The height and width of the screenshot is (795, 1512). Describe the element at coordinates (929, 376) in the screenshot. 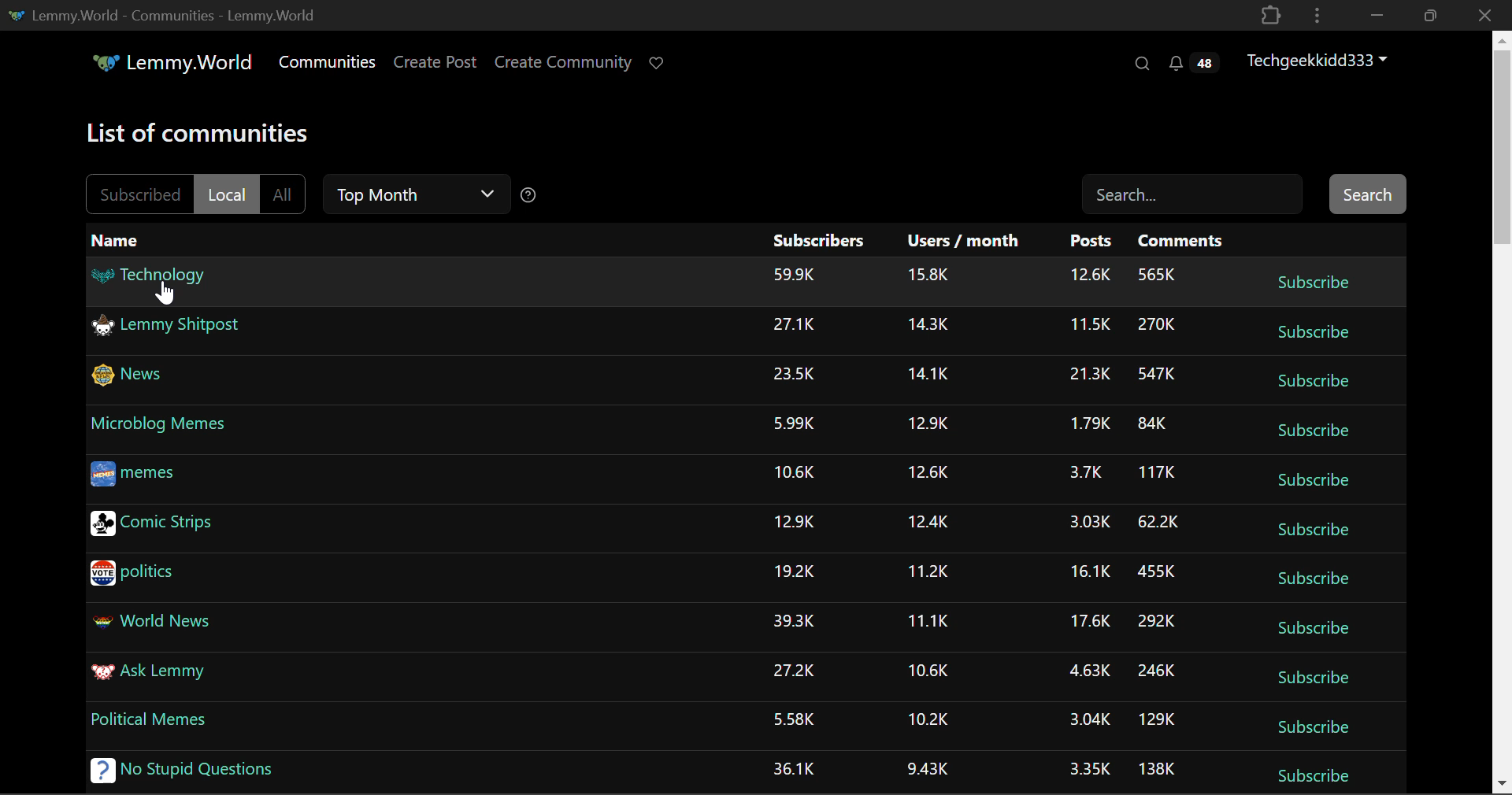

I see `Amount ` at that location.